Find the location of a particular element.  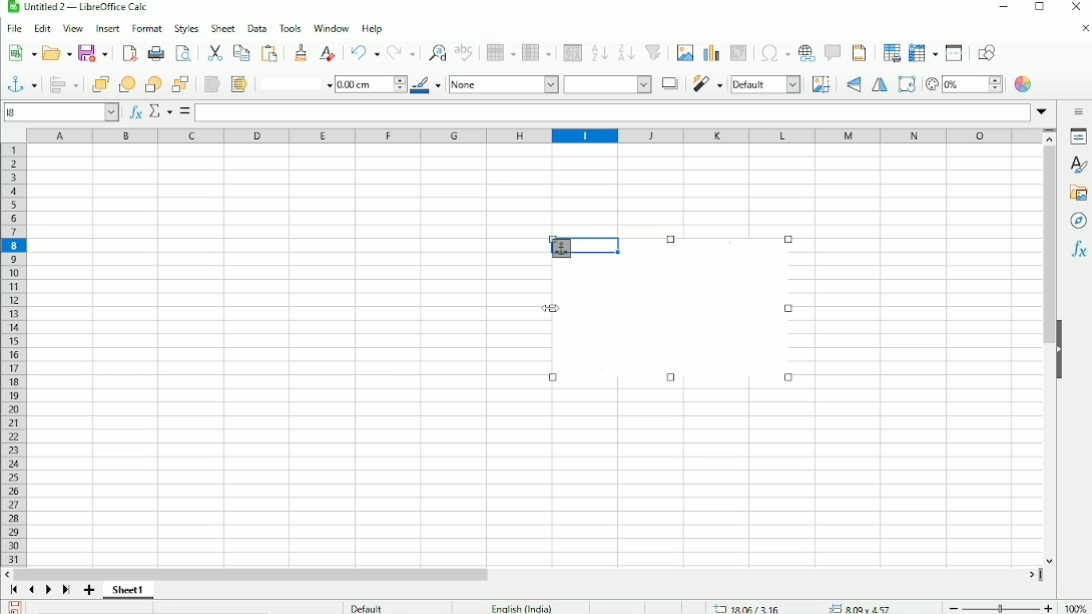

Spell check is located at coordinates (465, 52).